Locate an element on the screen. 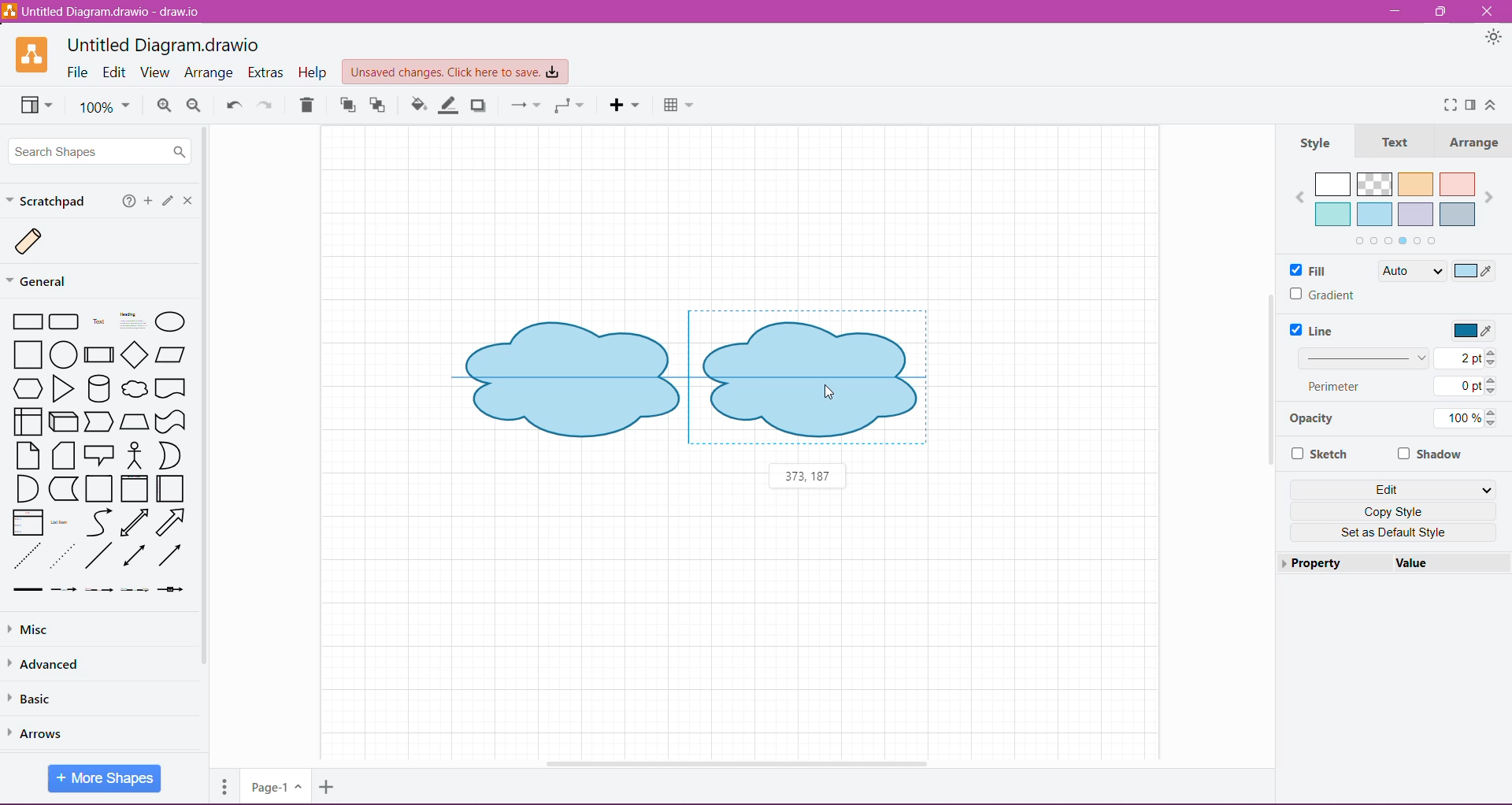 The image size is (1512, 805). More Shapes is located at coordinates (104, 780).